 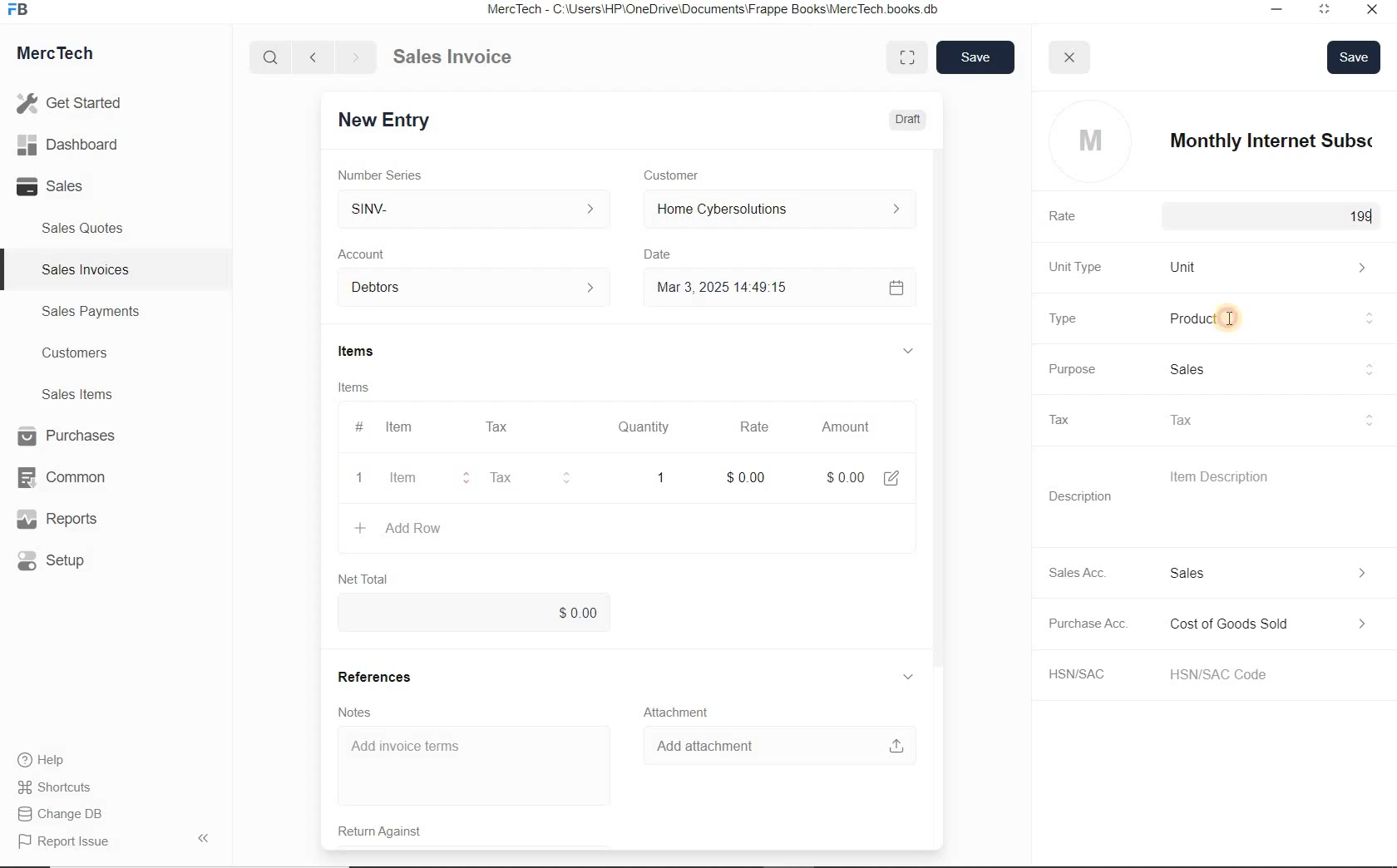 I want to click on Amount, so click(x=842, y=427).